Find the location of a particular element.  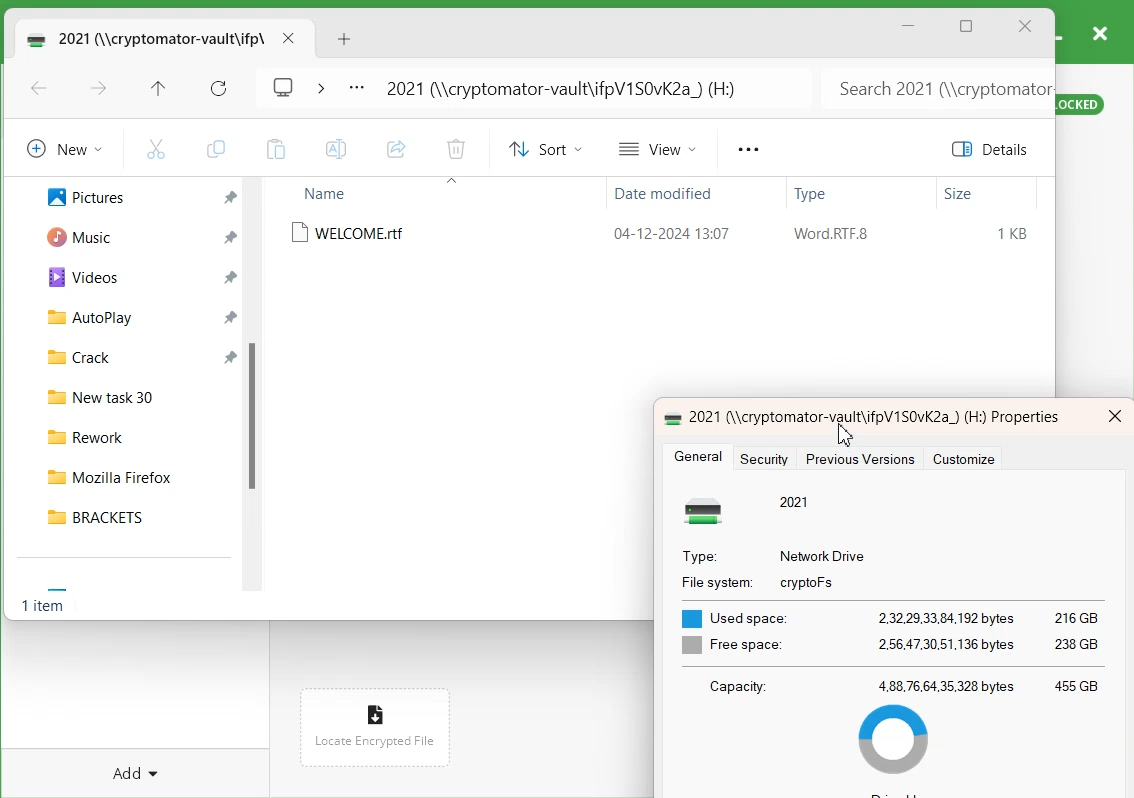

Security is located at coordinates (769, 459).